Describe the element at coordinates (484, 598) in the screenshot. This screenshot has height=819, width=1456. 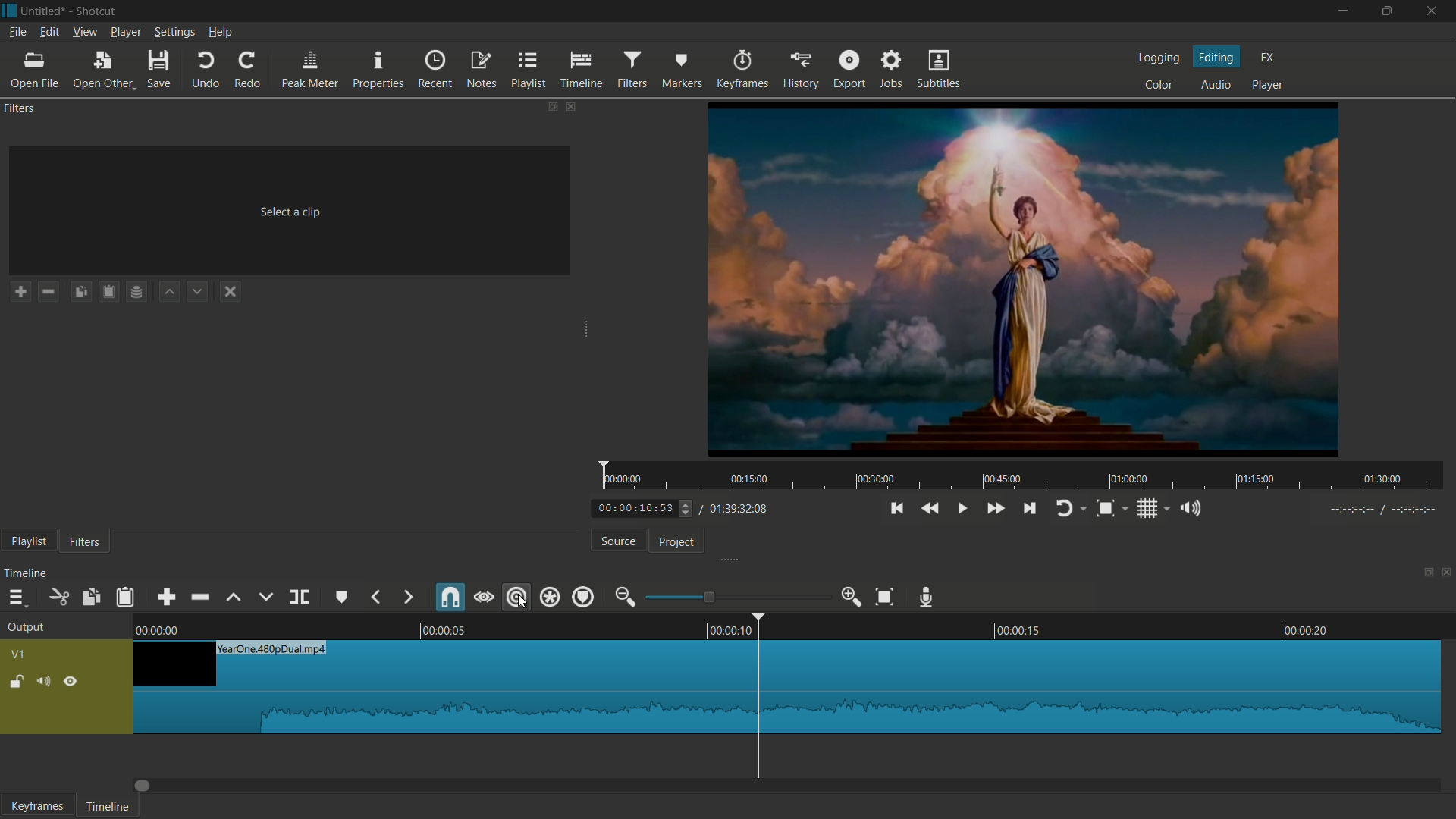
I see `scrub while dragging` at that location.